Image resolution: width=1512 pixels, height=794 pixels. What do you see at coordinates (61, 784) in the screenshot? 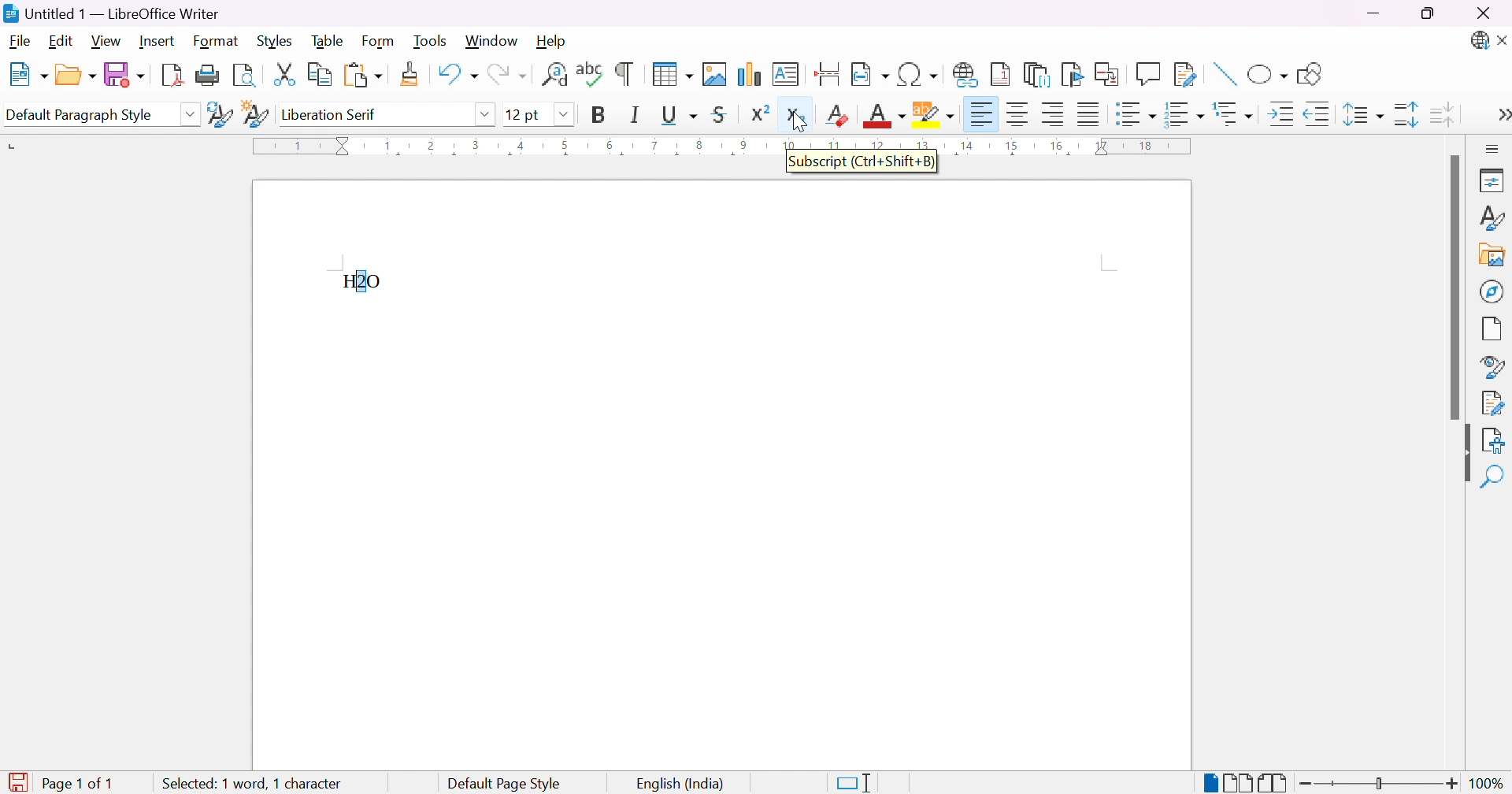
I see `Page 1 of 1` at bounding box center [61, 784].